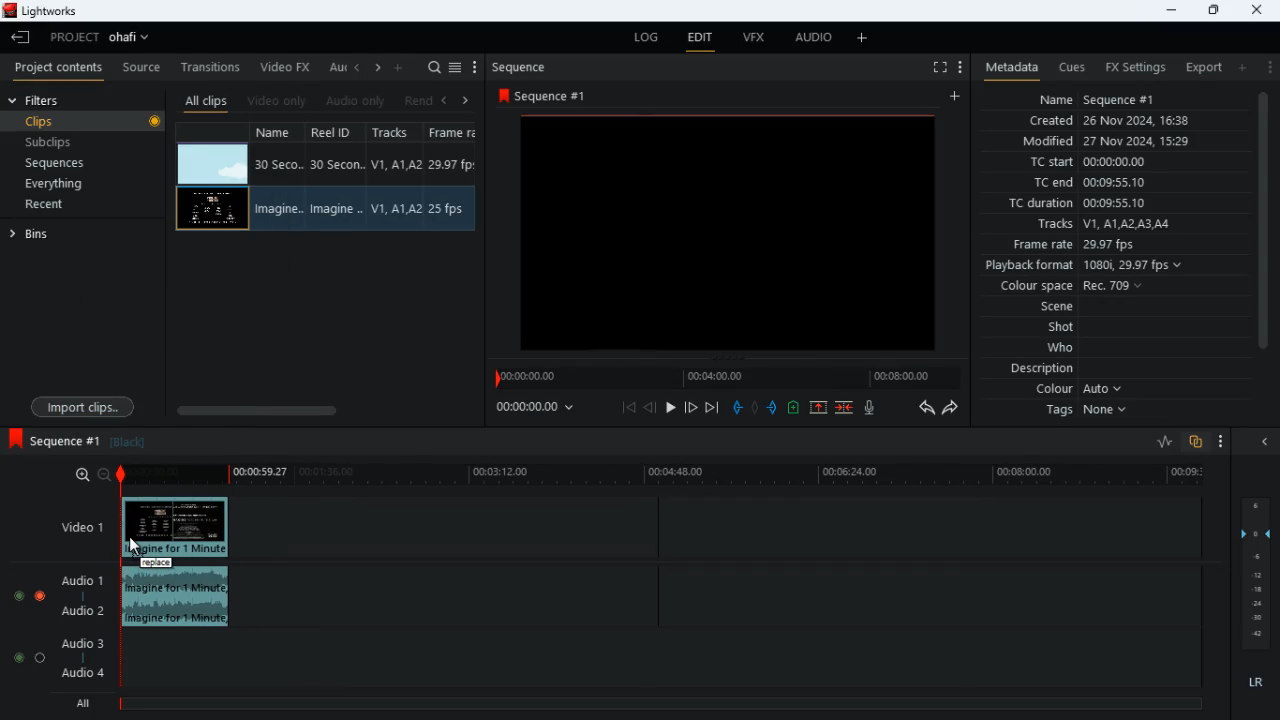 The image size is (1280, 720). Describe the element at coordinates (1259, 9) in the screenshot. I see `close` at that location.